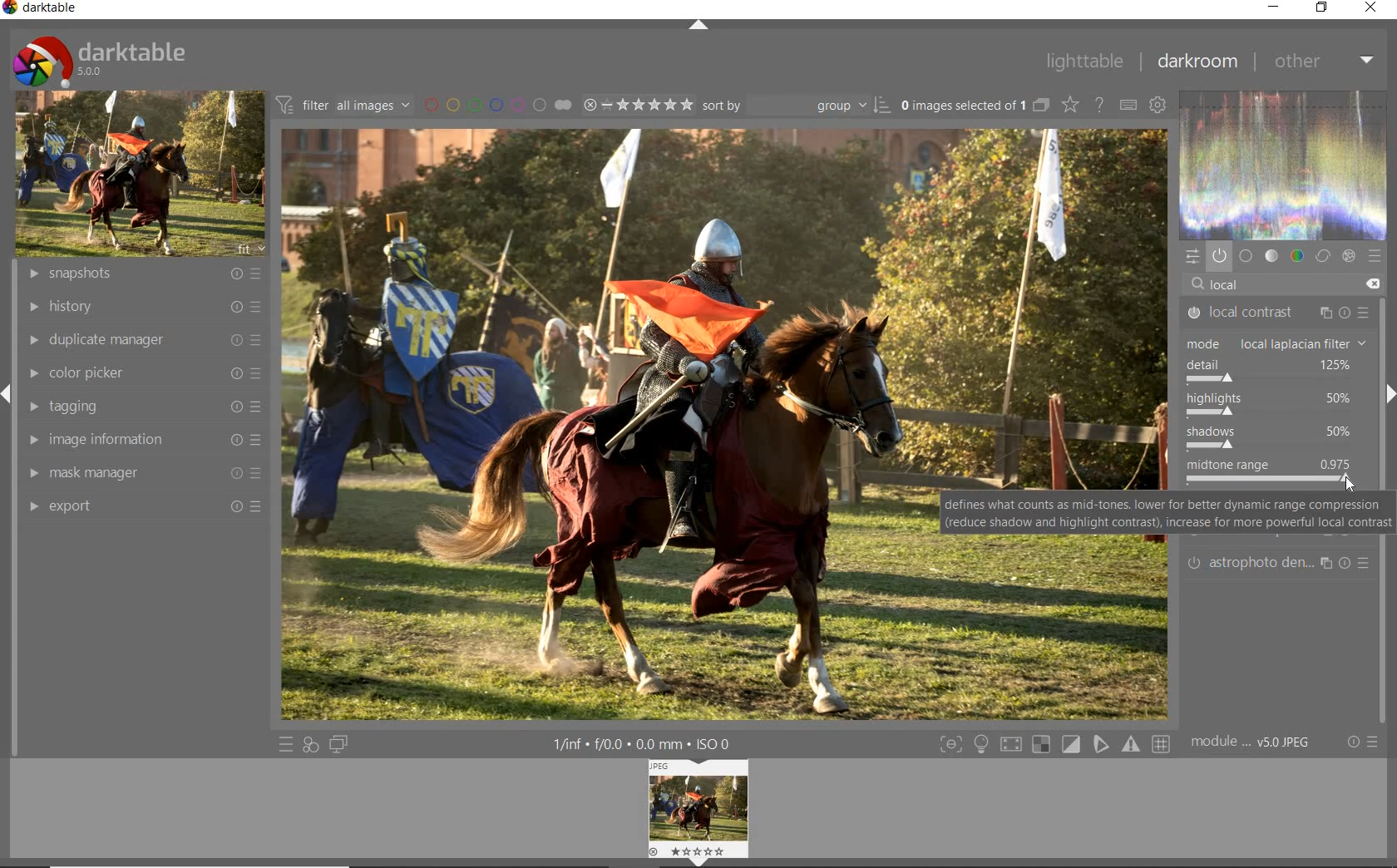  Describe the element at coordinates (1192, 256) in the screenshot. I see `quick access panel` at that location.